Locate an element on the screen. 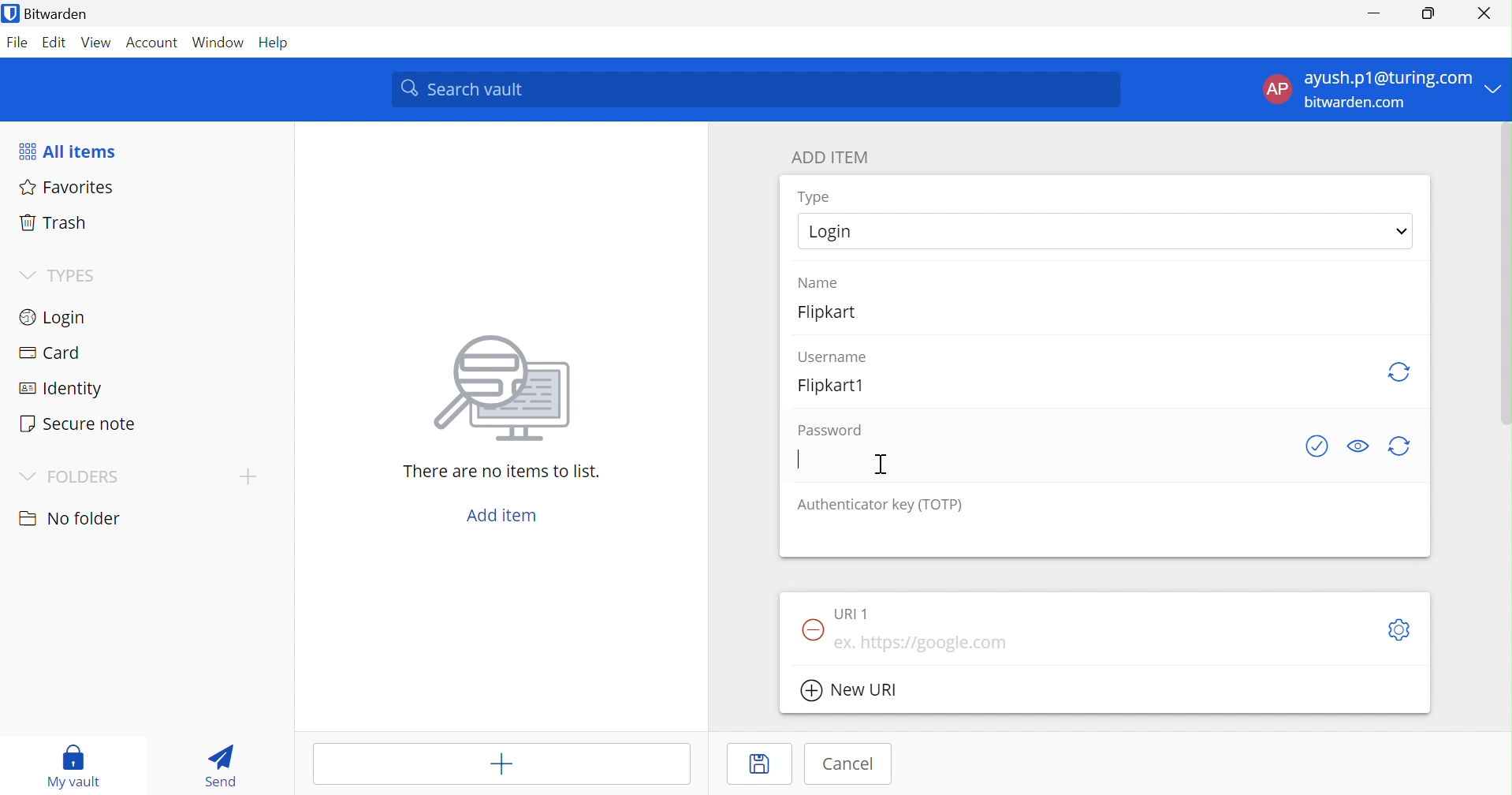 The image size is (1512, 795). Drop Down is located at coordinates (28, 477).